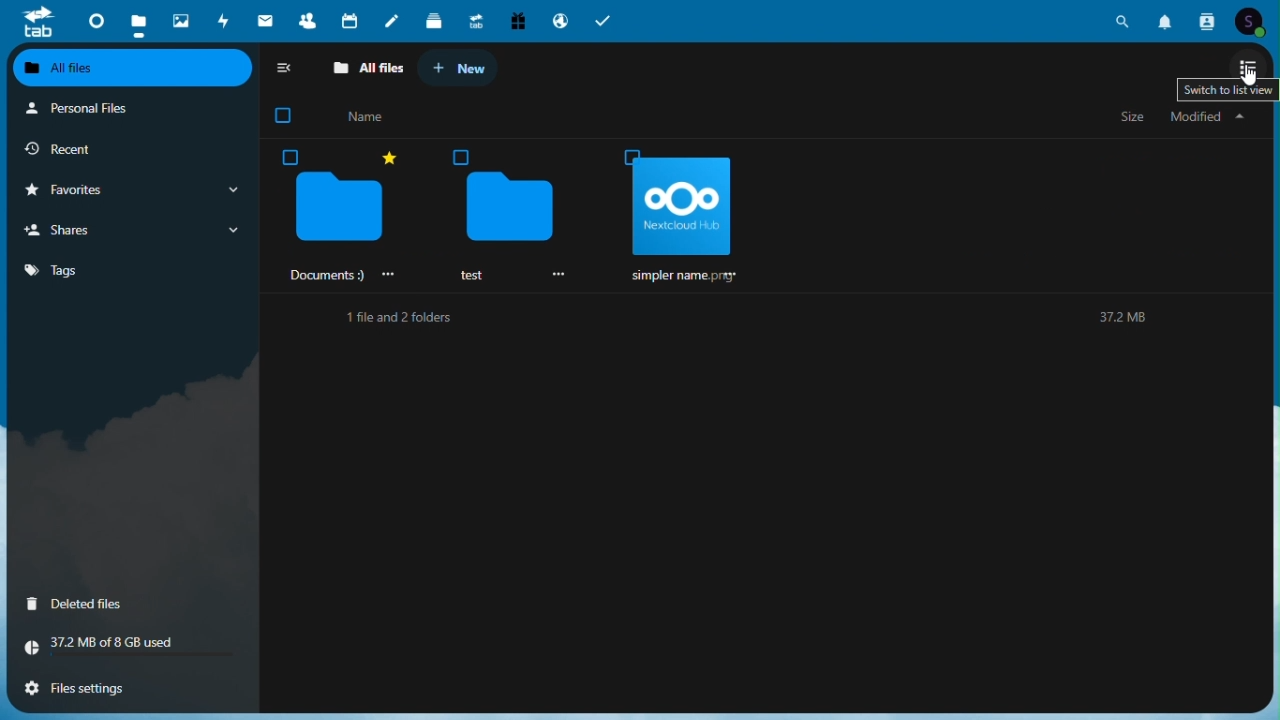 The image size is (1280, 720). Describe the element at coordinates (97, 20) in the screenshot. I see `dashboard` at that location.